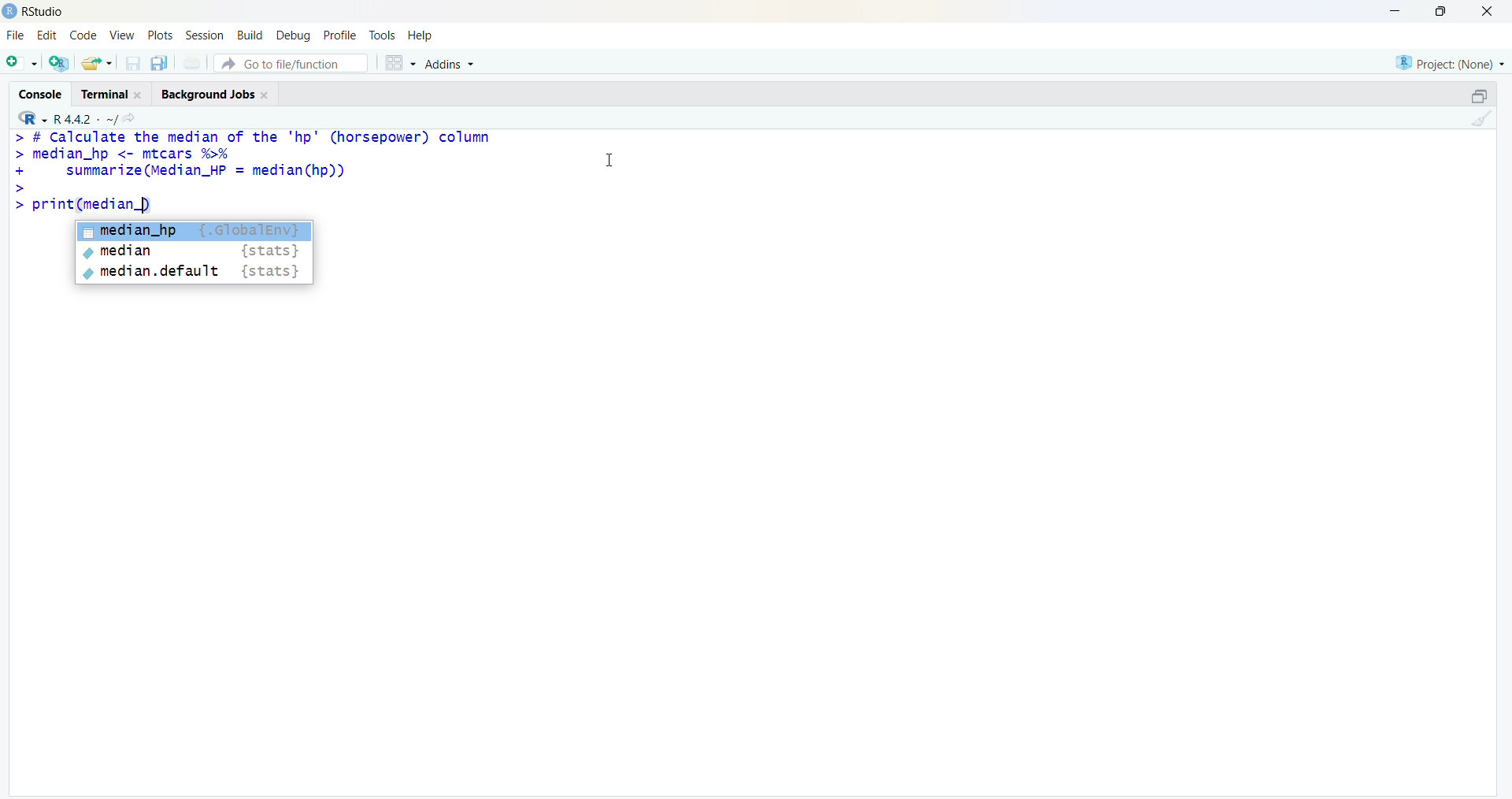  What do you see at coordinates (42, 95) in the screenshot?
I see `console` at bounding box center [42, 95].